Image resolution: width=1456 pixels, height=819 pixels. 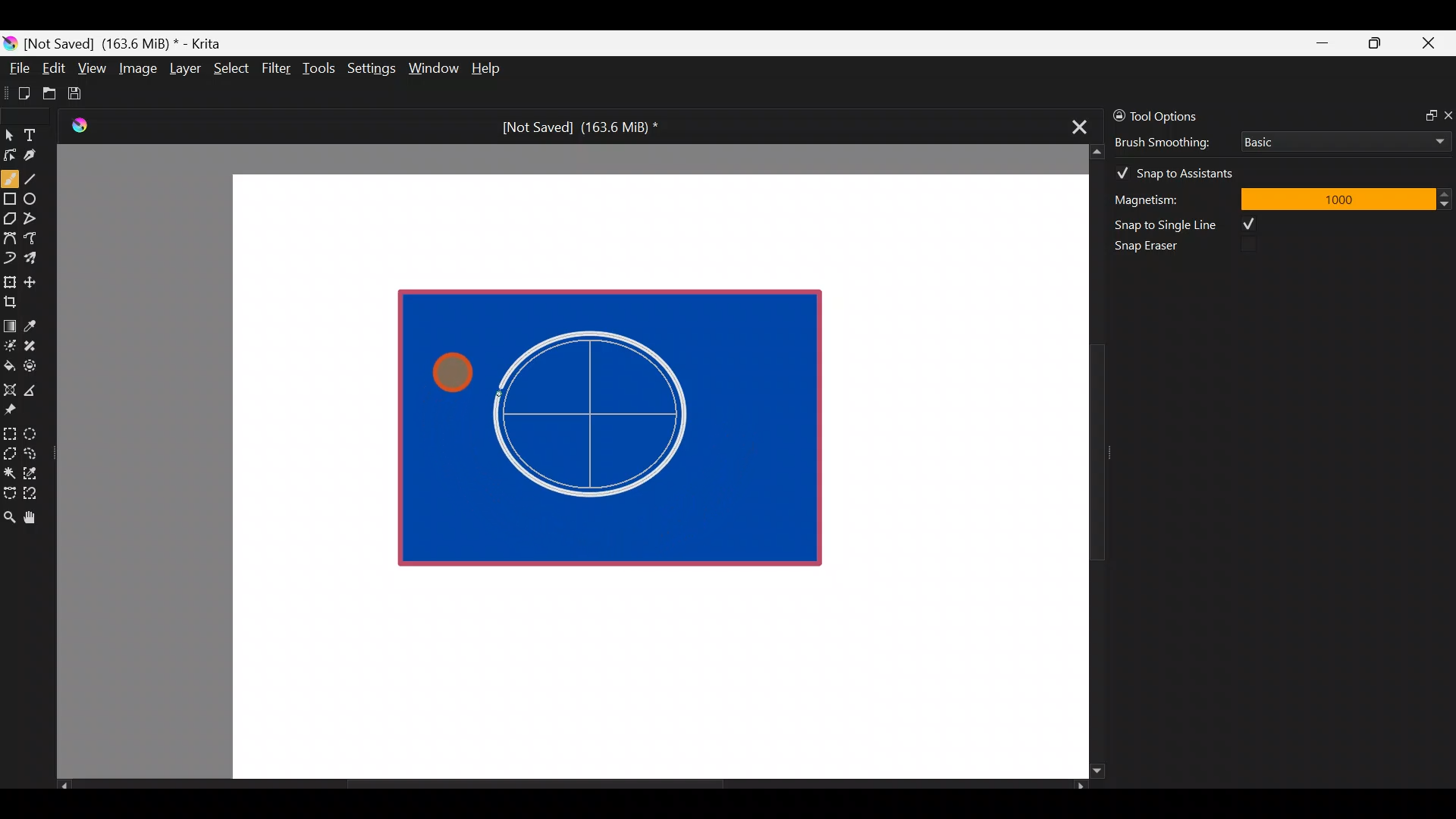 What do you see at coordinates (35, 280) in the screenshot?
I see `Move a layer` at bounding box center [35, 280].